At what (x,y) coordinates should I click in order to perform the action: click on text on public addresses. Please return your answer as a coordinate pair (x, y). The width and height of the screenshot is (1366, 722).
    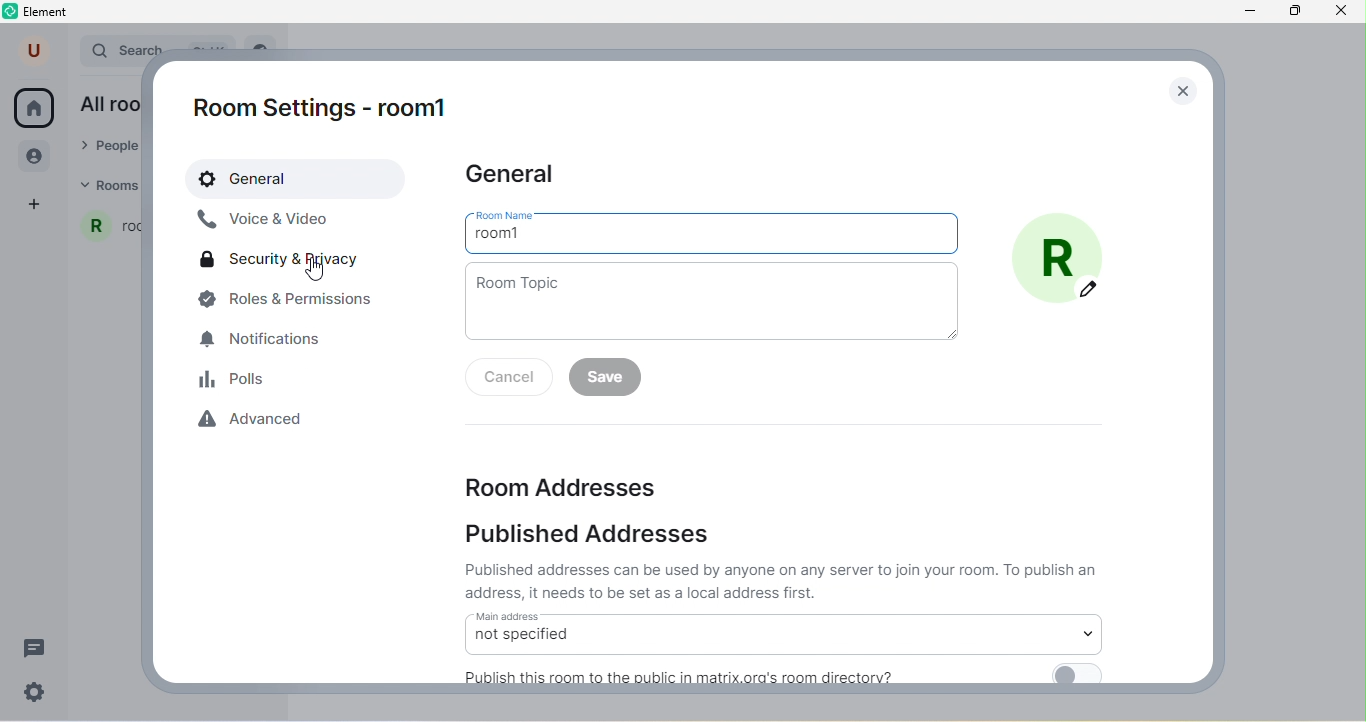
    Looking at the image, I should click on (790, 584).